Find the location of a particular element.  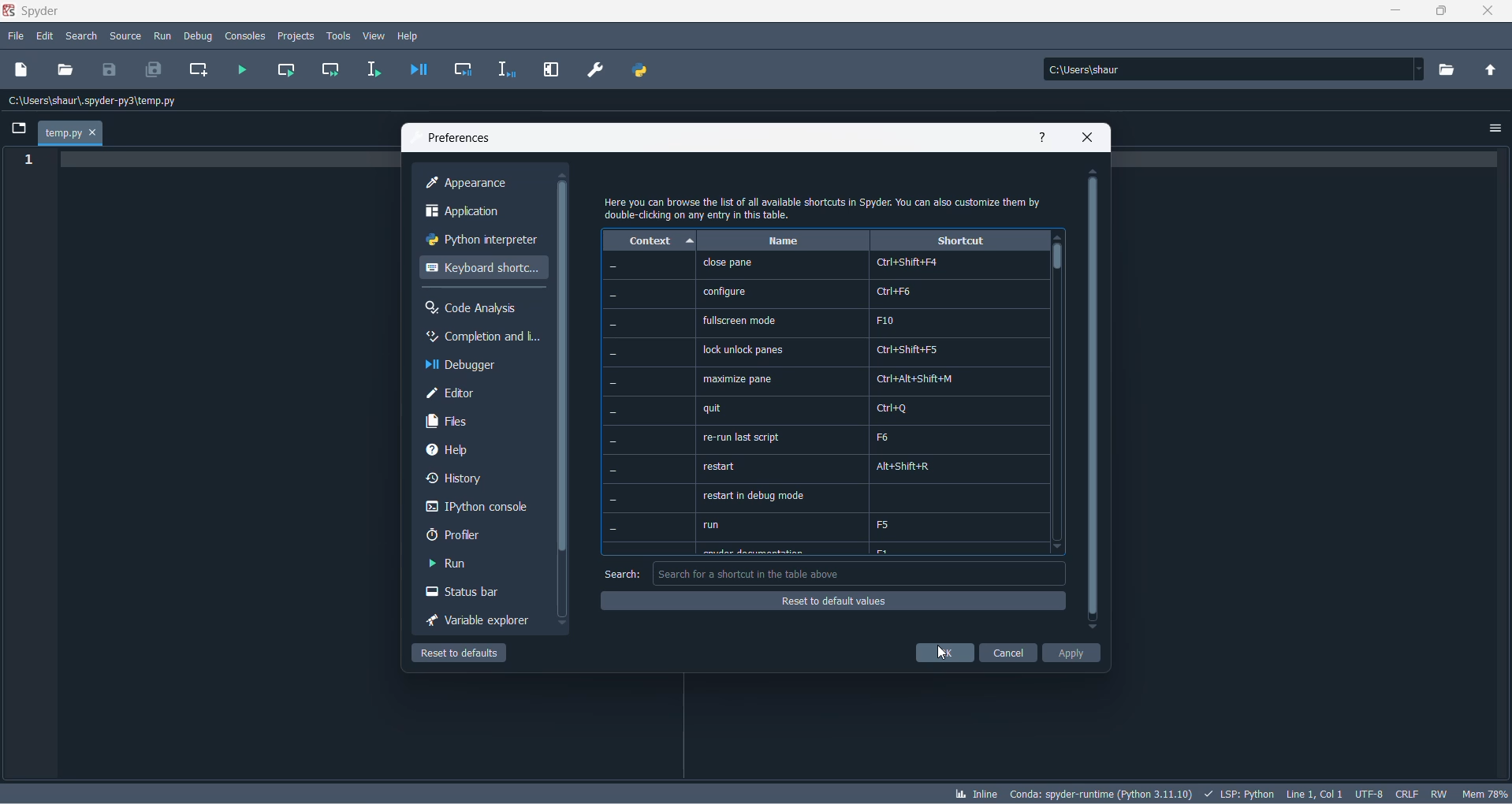

ok is located at coordinates (945, 653).